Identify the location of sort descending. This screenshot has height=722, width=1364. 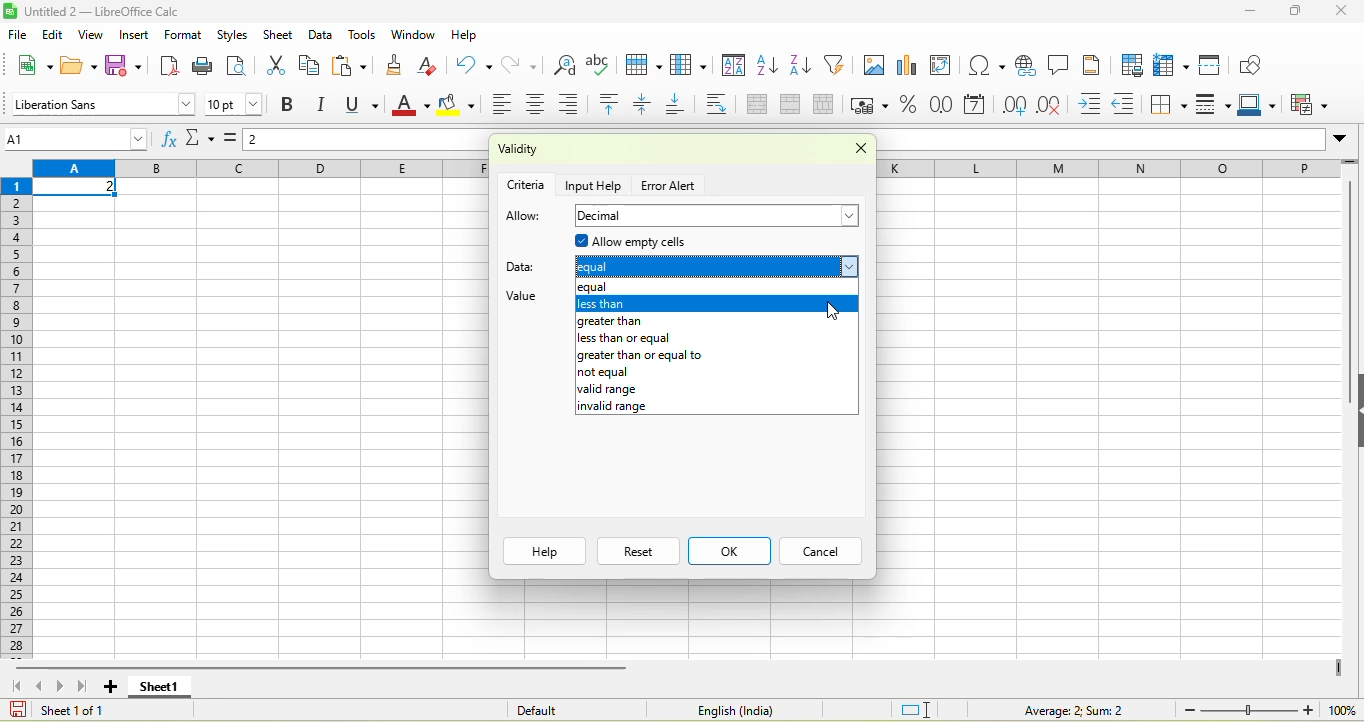
(803, 67).